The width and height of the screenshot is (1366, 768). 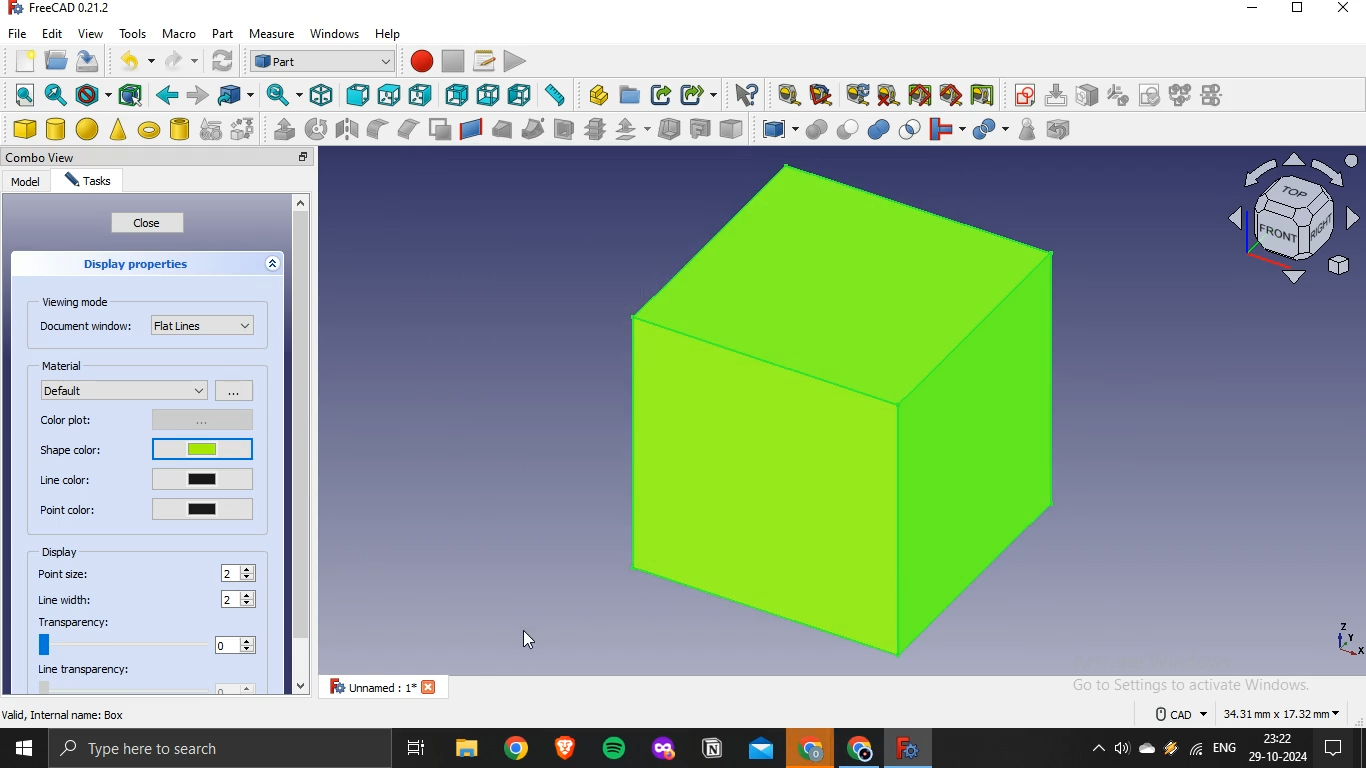 I want to click on file explorer, so click(x=466, y=749).